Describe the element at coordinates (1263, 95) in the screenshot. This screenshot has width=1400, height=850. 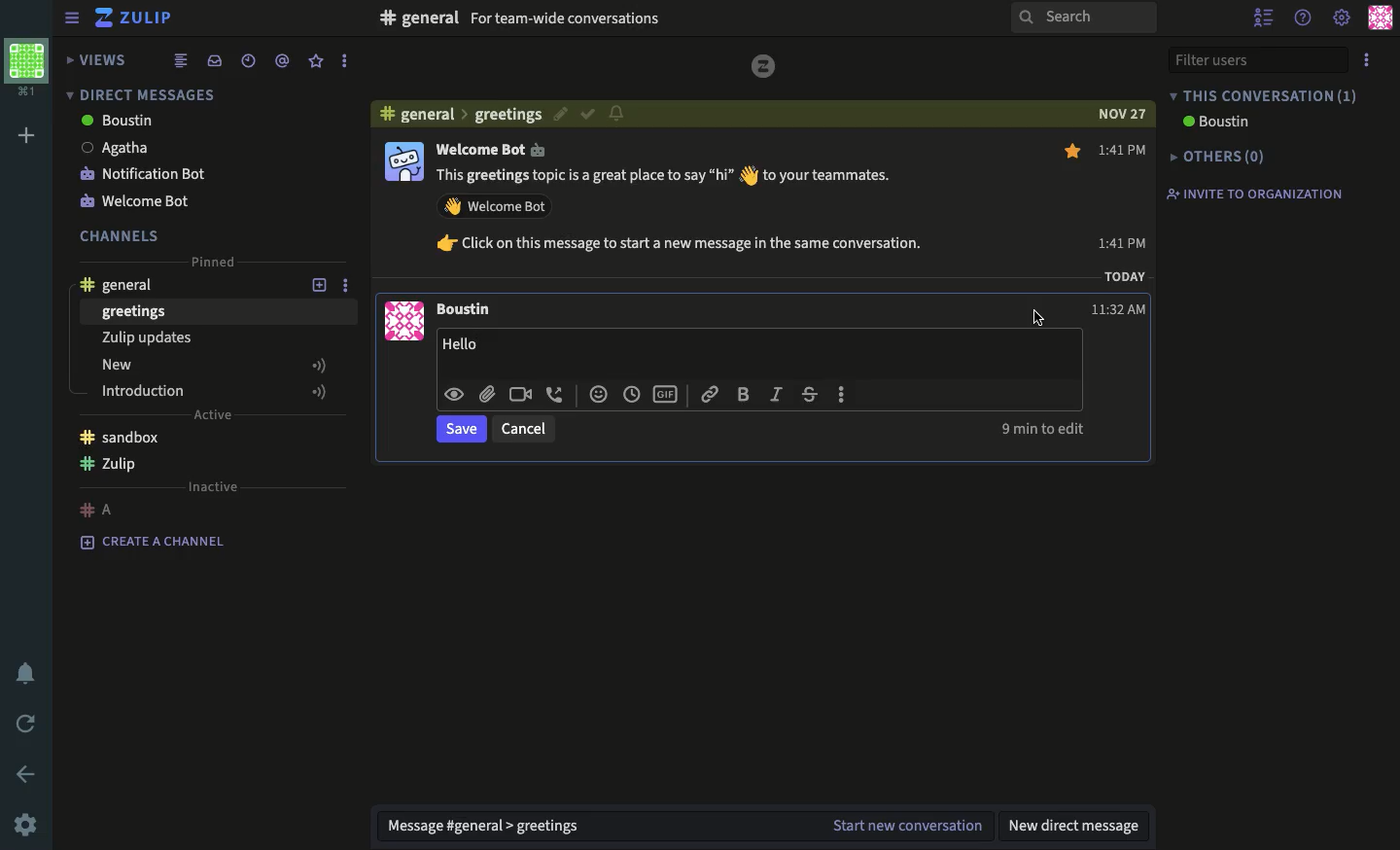
I see `this conversation` at that location.